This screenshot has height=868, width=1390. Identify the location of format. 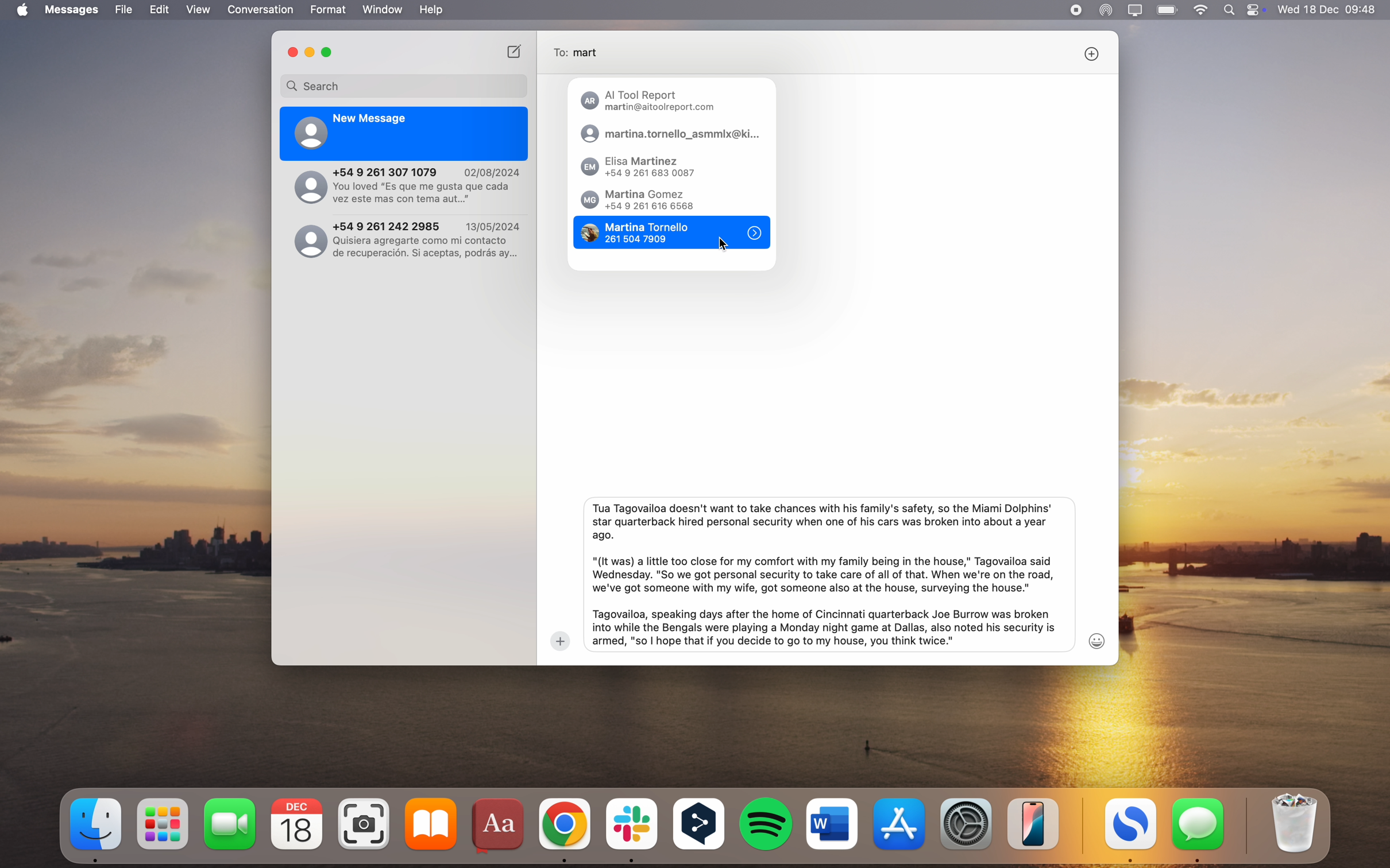
(329, 10).